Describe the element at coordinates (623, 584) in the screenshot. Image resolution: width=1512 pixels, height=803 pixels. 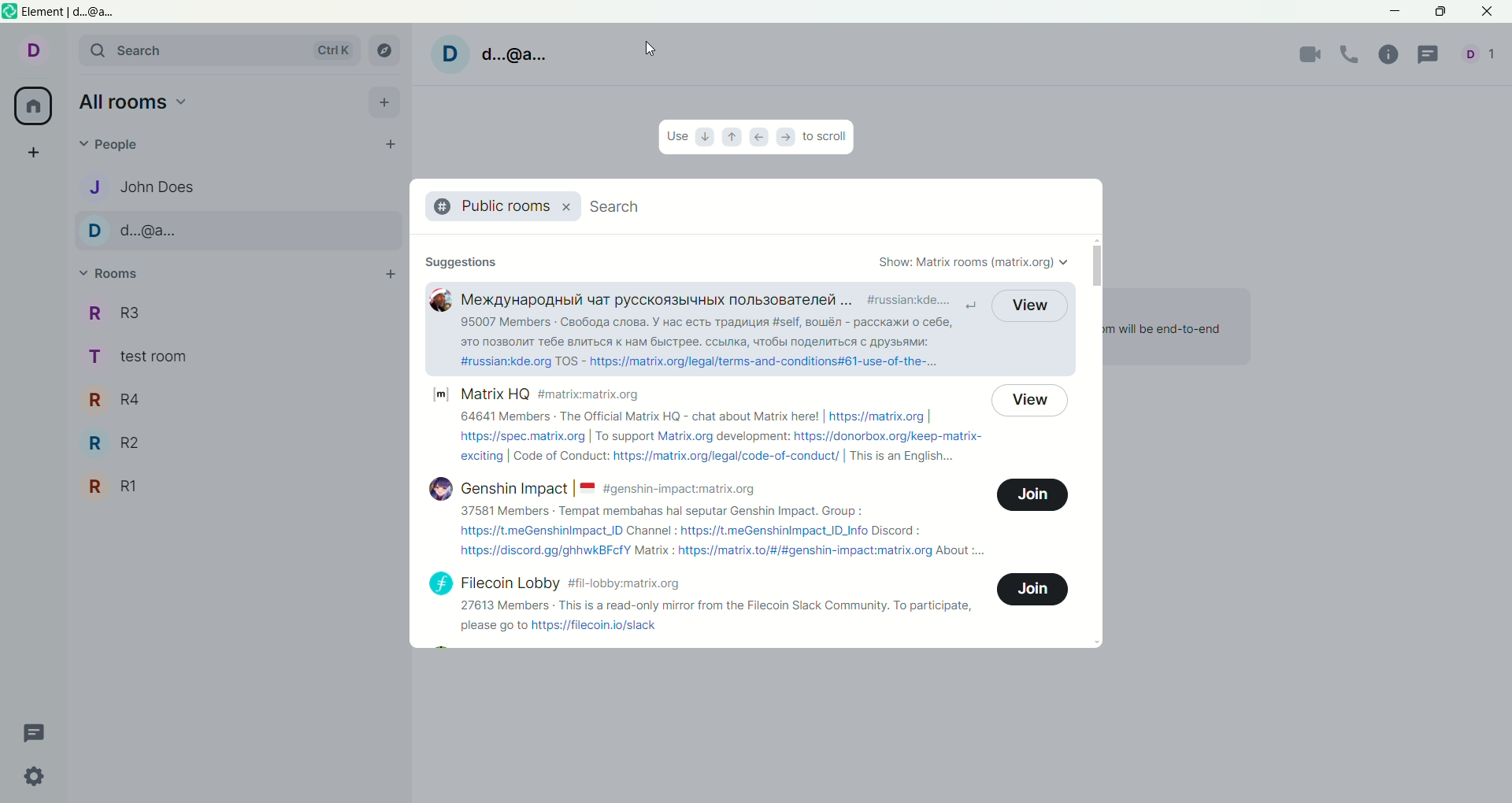
I see `#fil-lobby:matrix.org` at that location.